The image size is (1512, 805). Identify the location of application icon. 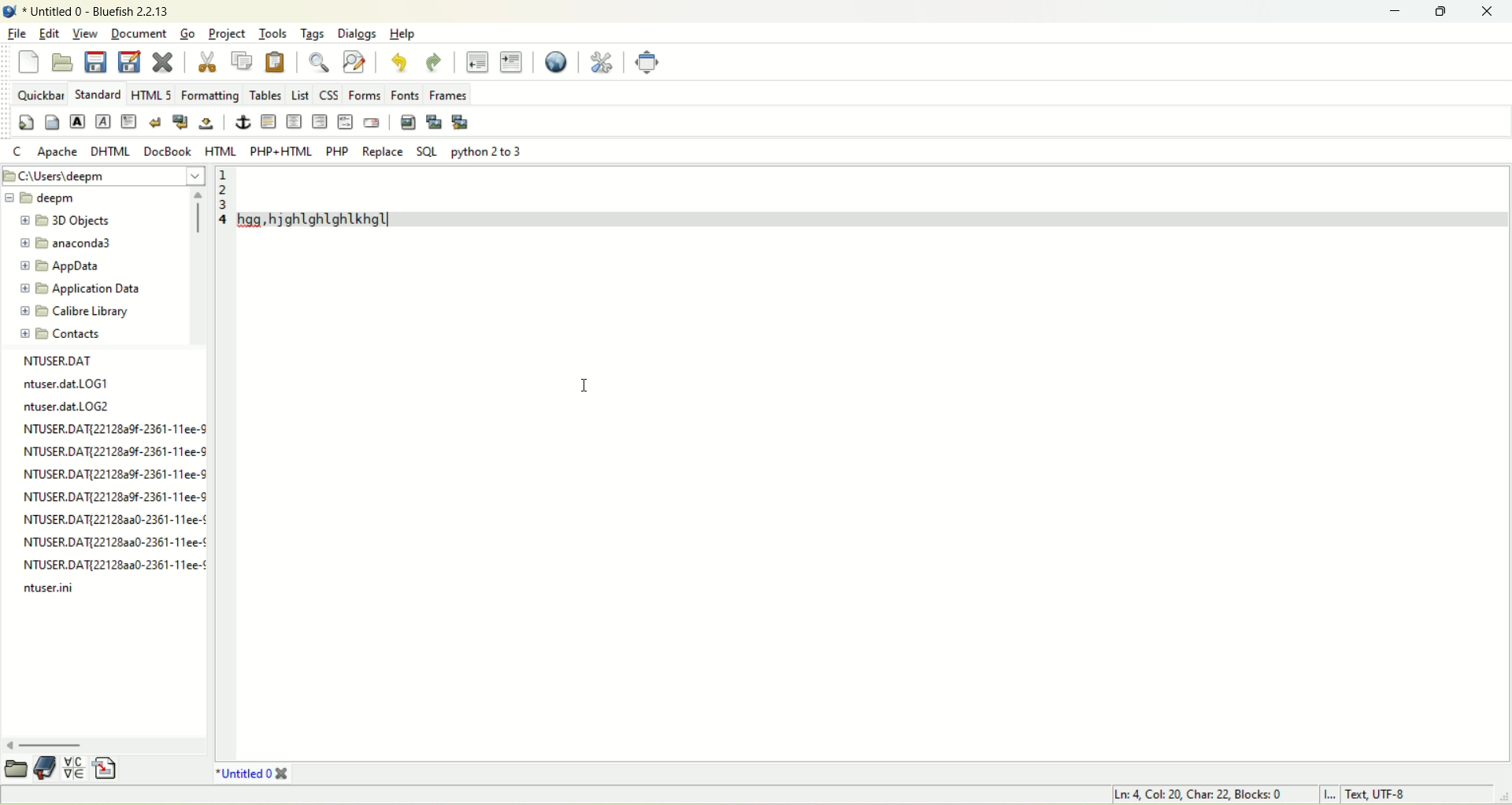
(9, 12).